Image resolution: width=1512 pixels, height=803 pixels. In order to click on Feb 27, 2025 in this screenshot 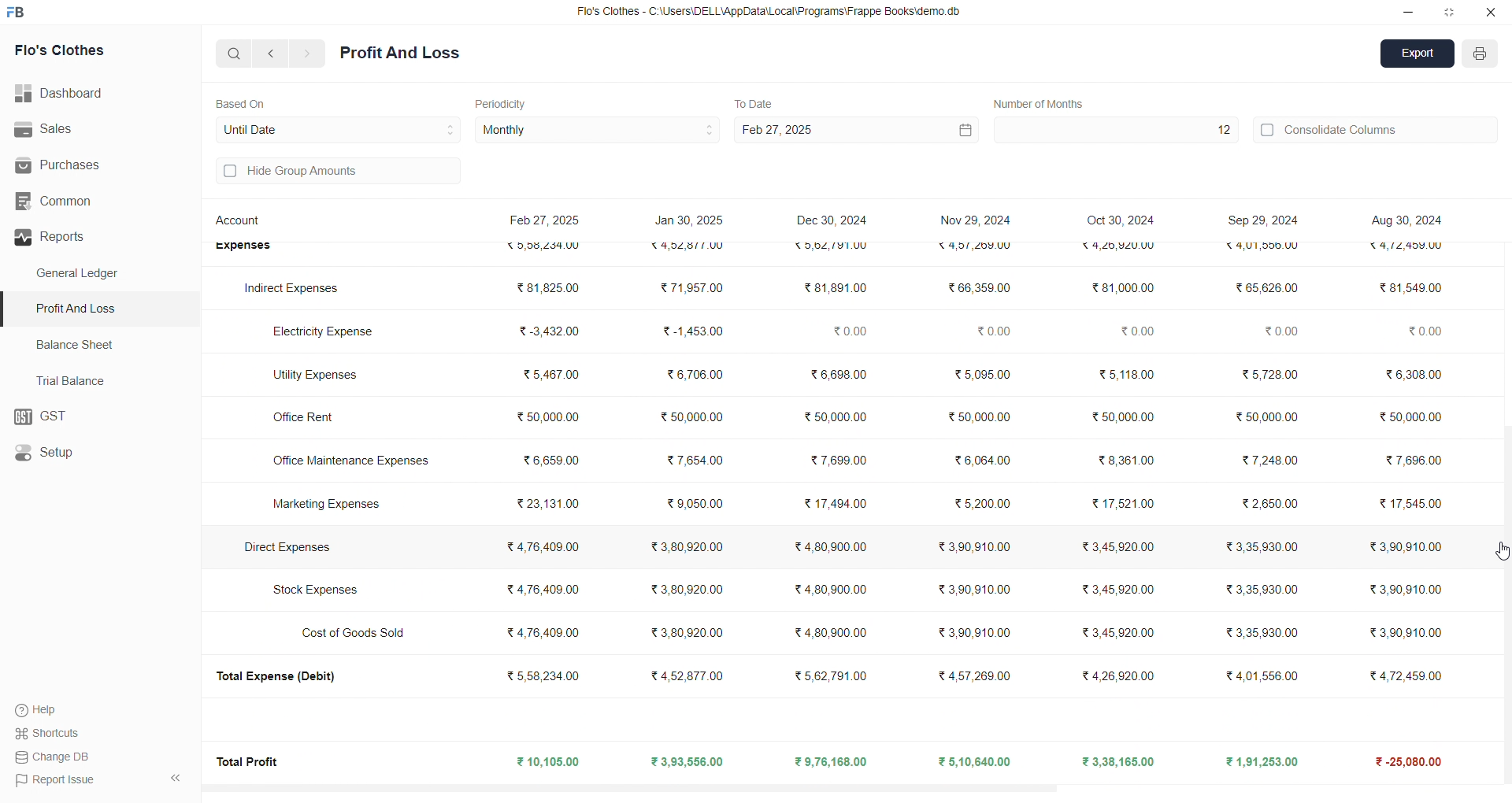, I will do `click(547, 222)`.